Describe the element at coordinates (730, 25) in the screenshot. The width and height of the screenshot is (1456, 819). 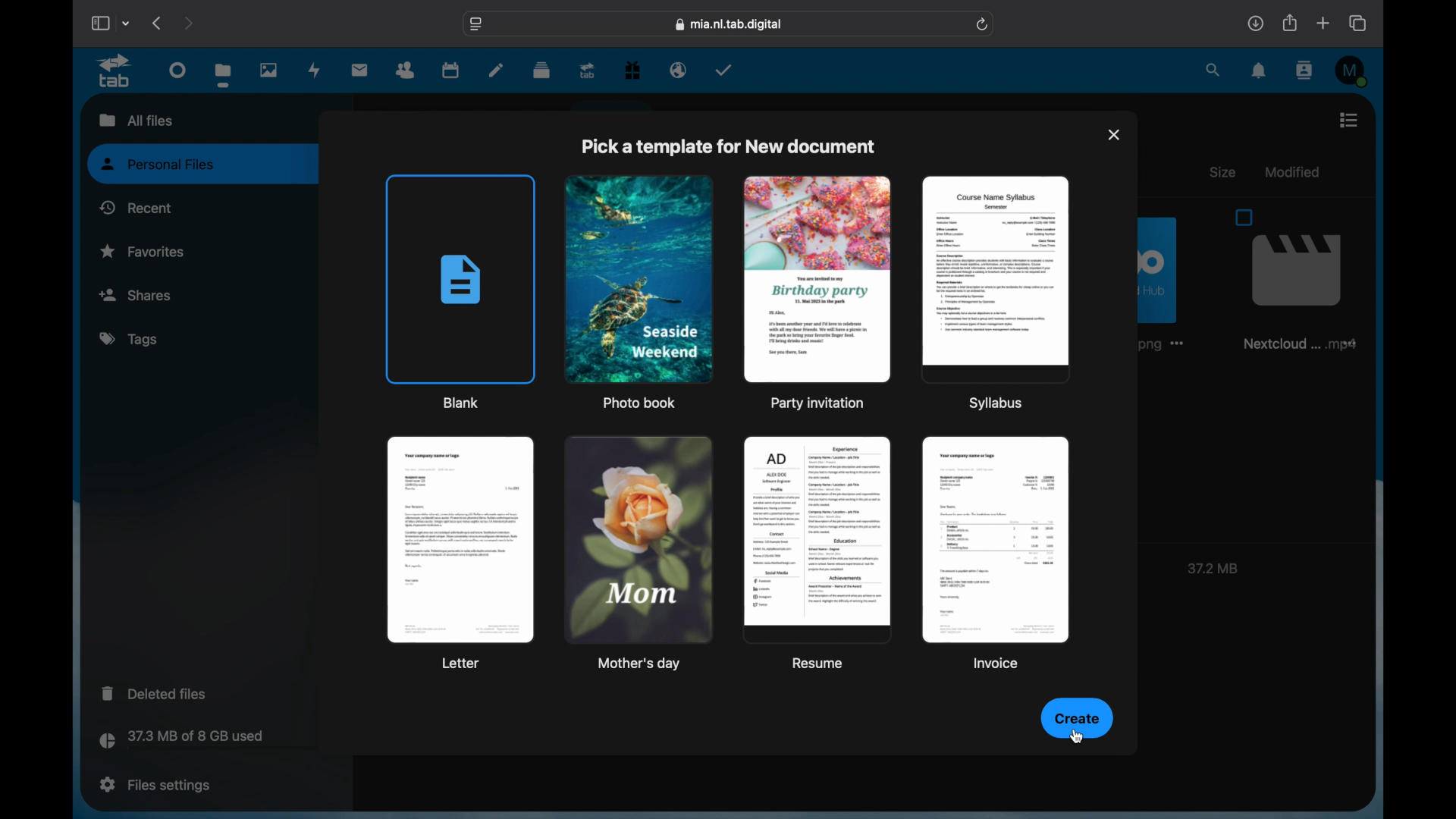
I see `web address` at that location.